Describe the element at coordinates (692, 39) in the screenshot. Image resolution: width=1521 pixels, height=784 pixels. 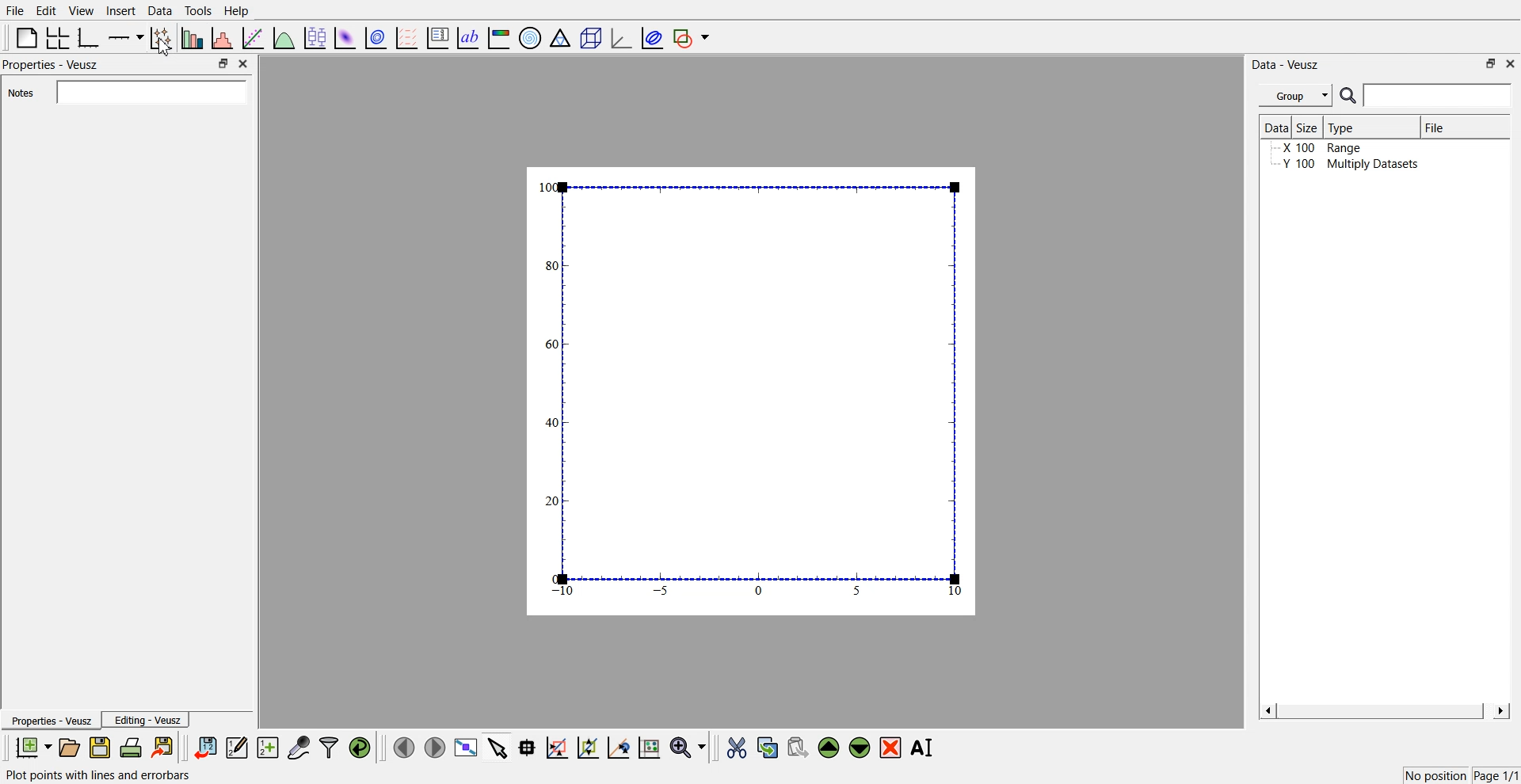
I see `add a shape` at that location.